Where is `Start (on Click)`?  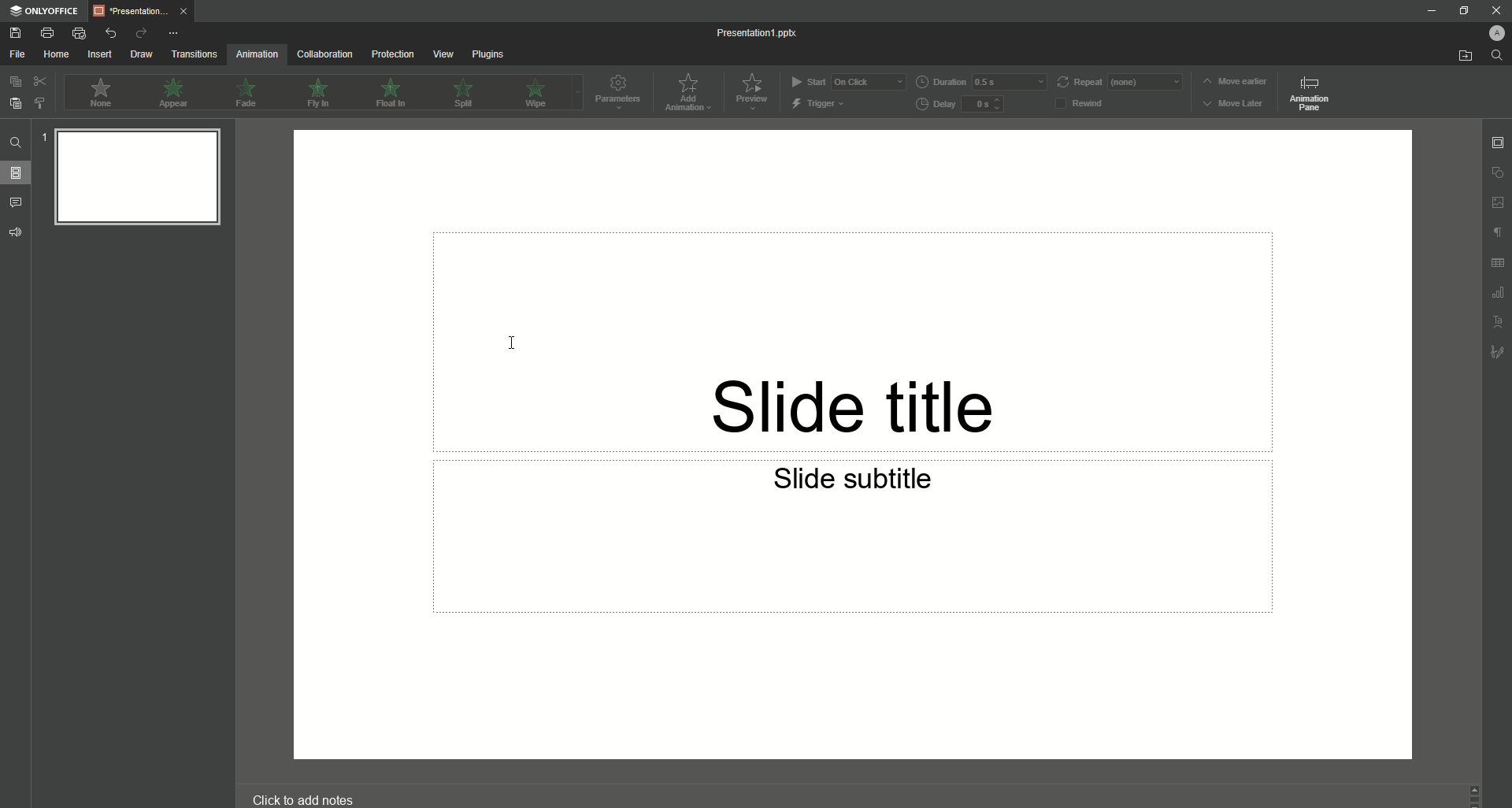 Start (on Click) is located at coordinates (848, 81).